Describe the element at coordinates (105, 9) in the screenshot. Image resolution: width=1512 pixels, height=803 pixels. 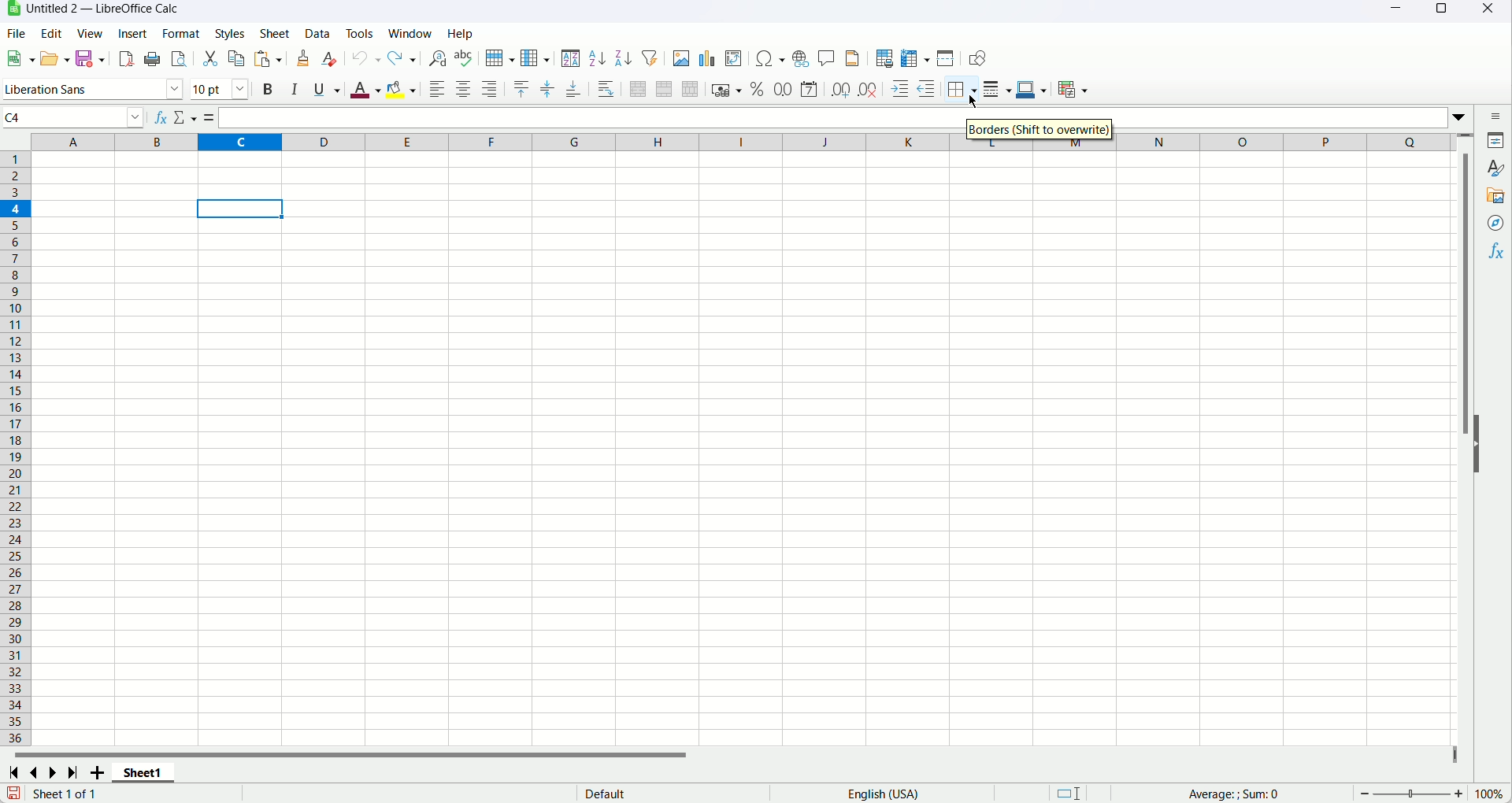
I see `Document title` at that location.